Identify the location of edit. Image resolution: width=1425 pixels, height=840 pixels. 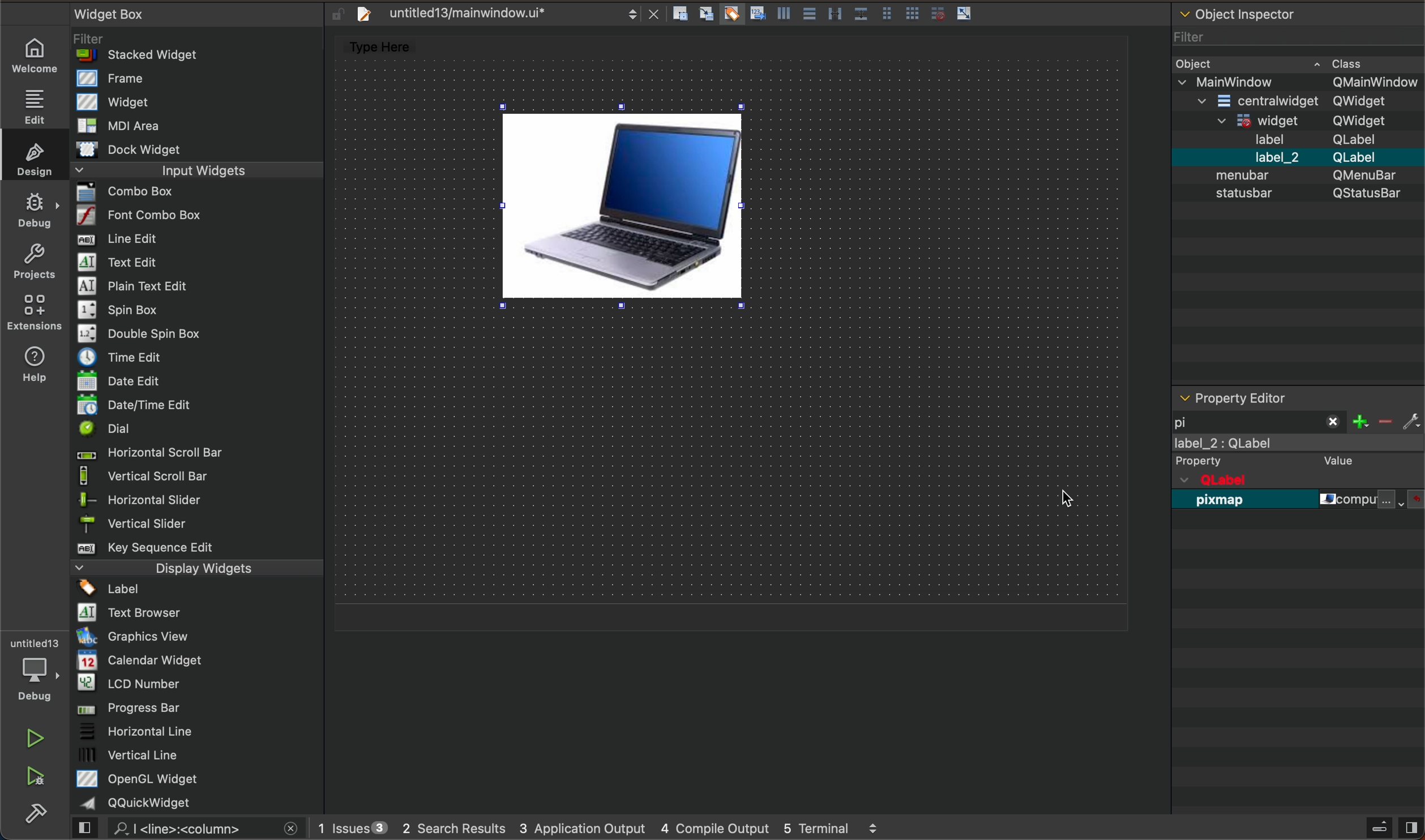
(32, 104).